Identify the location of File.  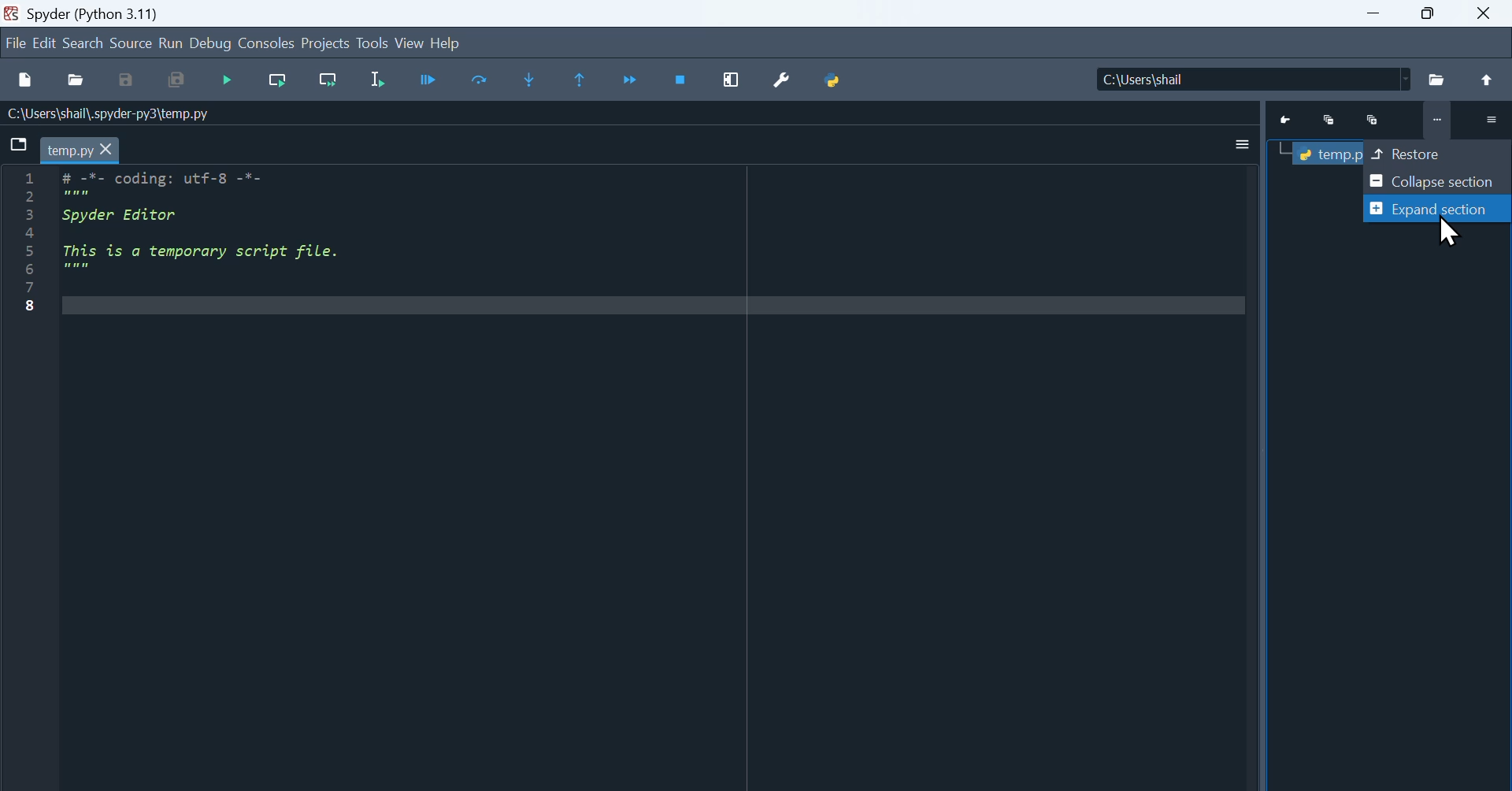
(1438, 80).